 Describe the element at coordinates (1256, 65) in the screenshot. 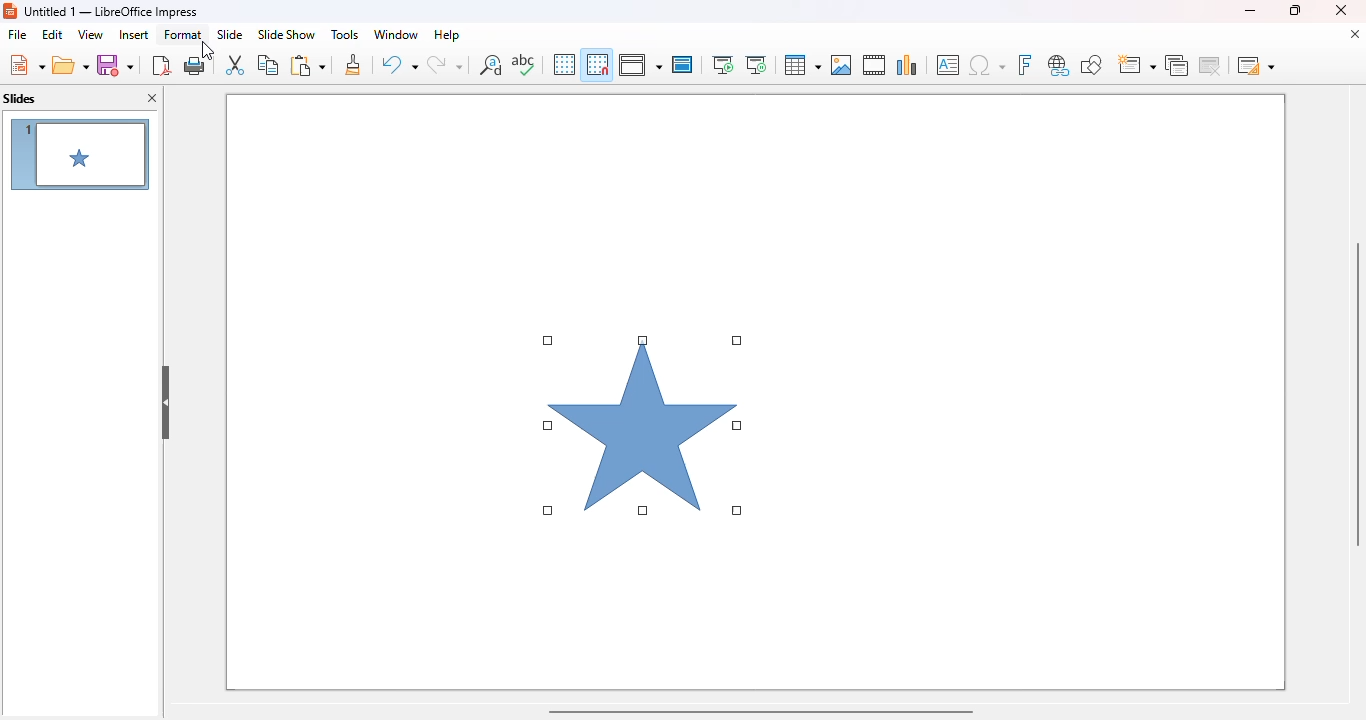

I see `slide layout` at that location.